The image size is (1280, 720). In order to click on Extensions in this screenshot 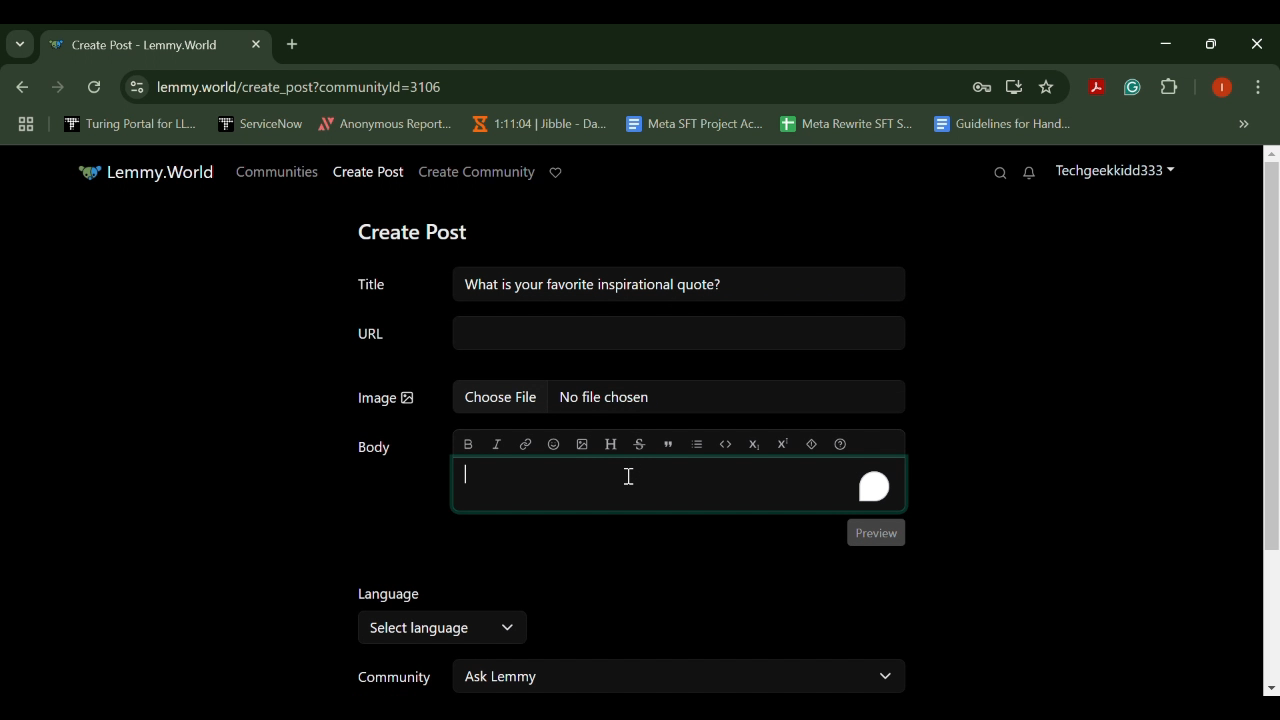, I will do `click(1170, 88)`.